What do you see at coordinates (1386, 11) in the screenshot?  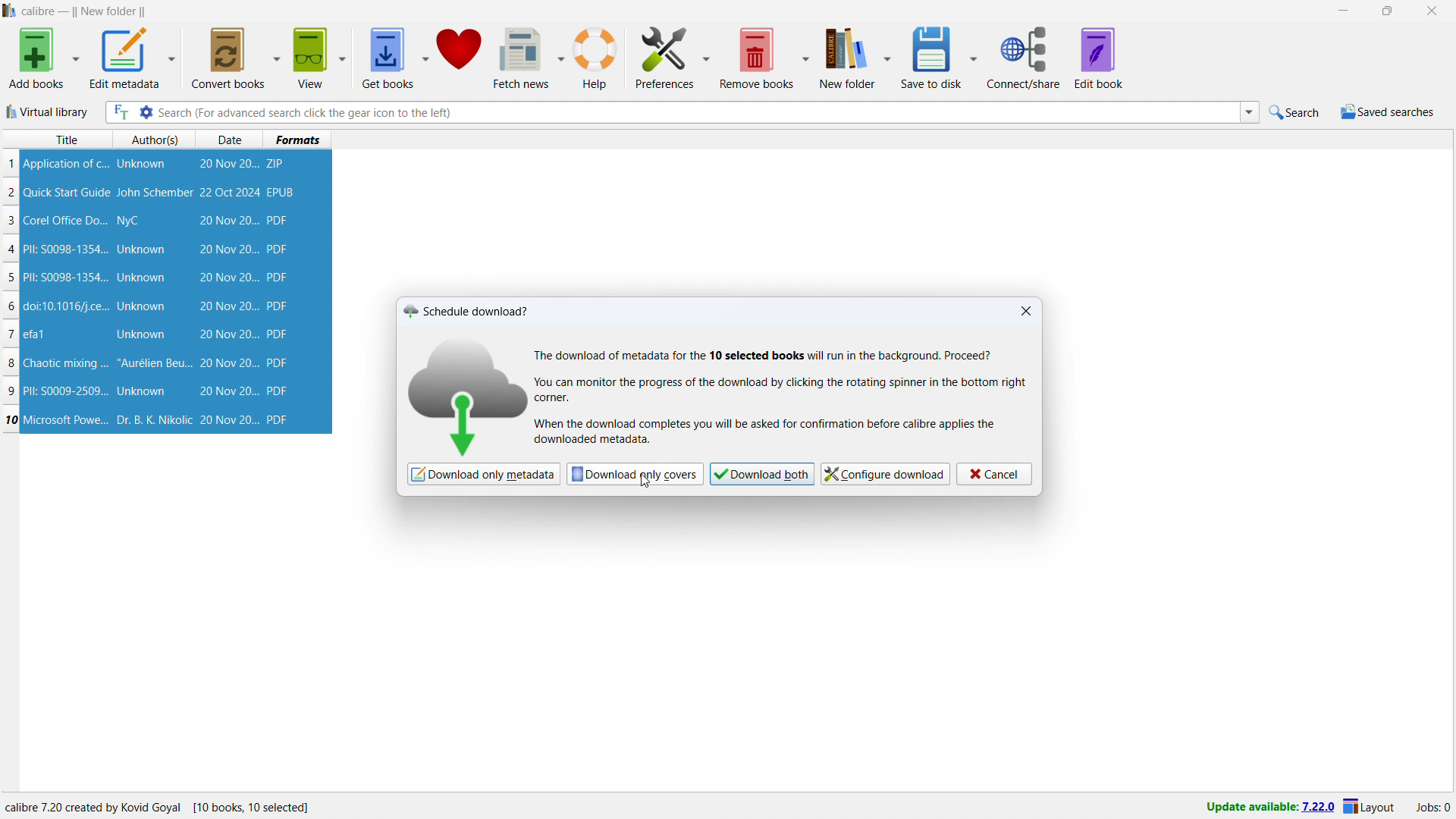 I see `maximize` at bounding box center [1386, 11].